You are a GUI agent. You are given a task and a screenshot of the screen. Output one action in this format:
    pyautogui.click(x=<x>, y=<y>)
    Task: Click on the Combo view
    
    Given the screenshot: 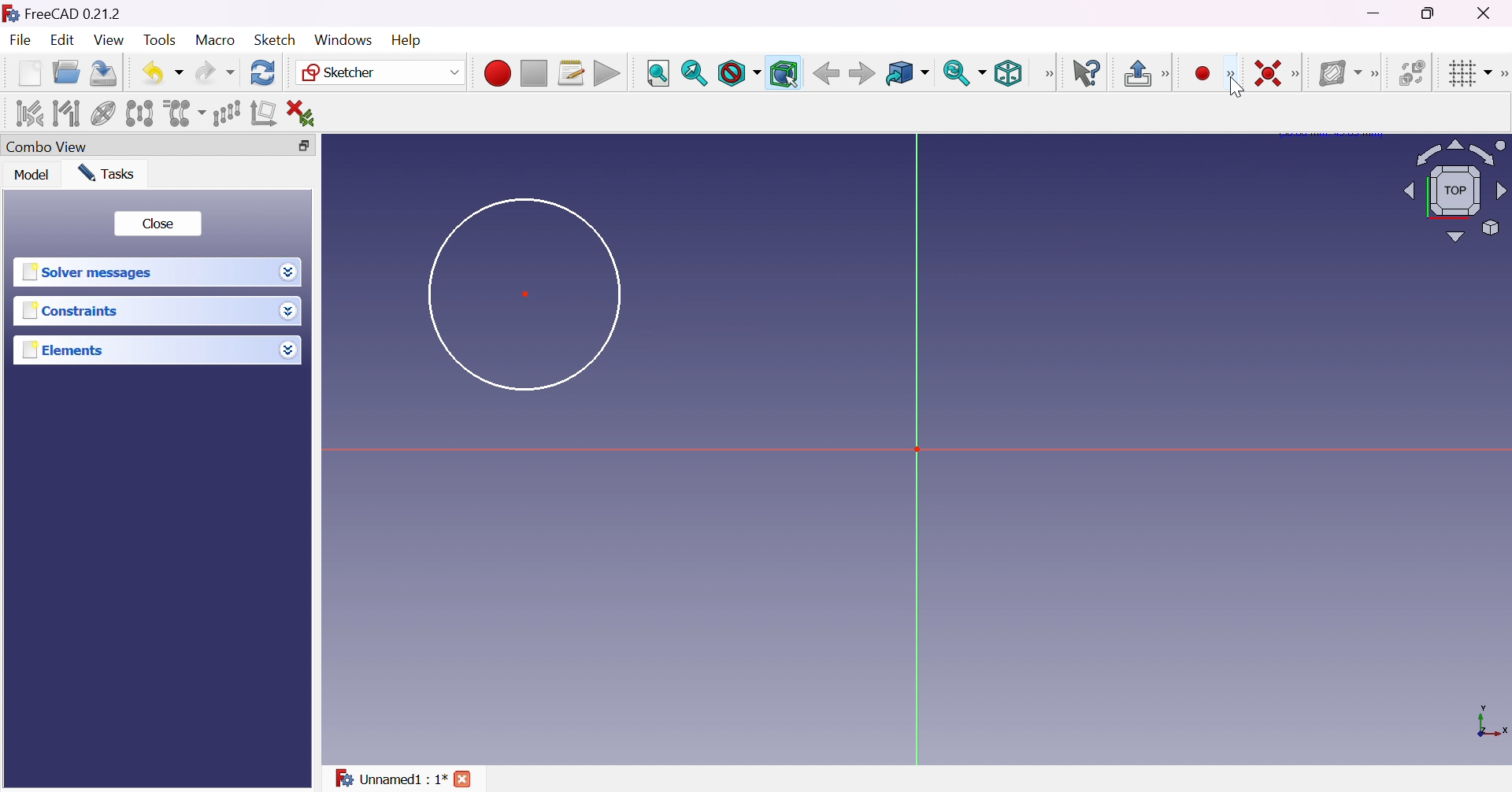 What is the action you would take?
    pyautogui.click(x=46, y=148)
    